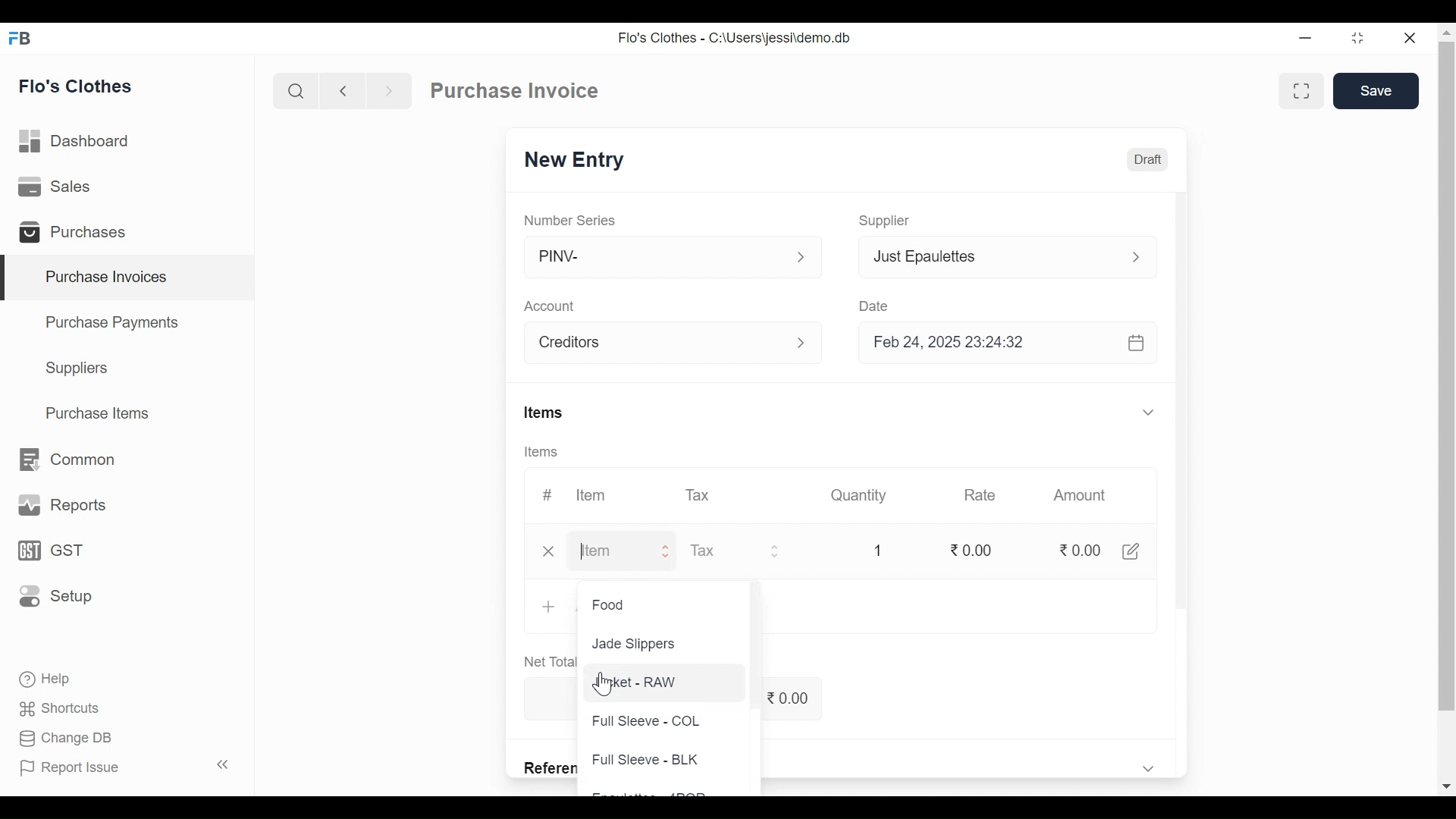 This screenshot has width=1456, height=819. I want to click on 1, so click(880, 551).